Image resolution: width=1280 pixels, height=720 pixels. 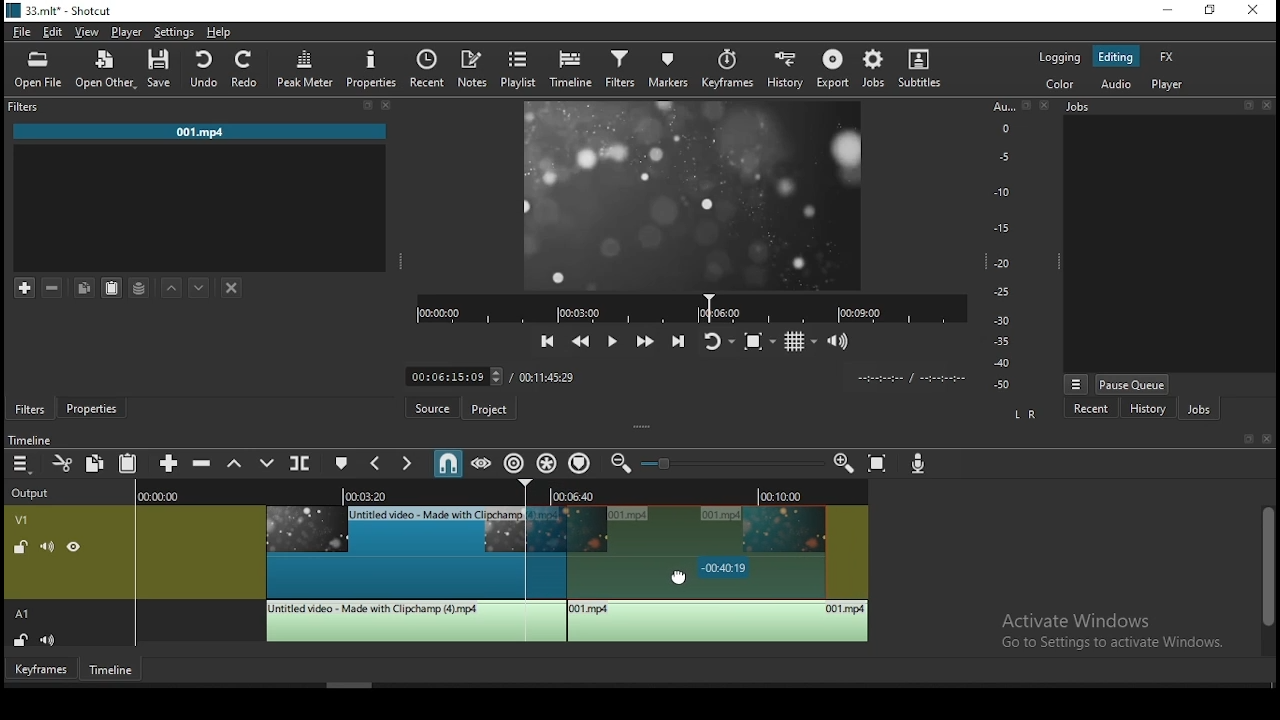 What do you see at coordinates (1061, 83) in the screenshot?
I see `color` at bounding box center [1061, 83].